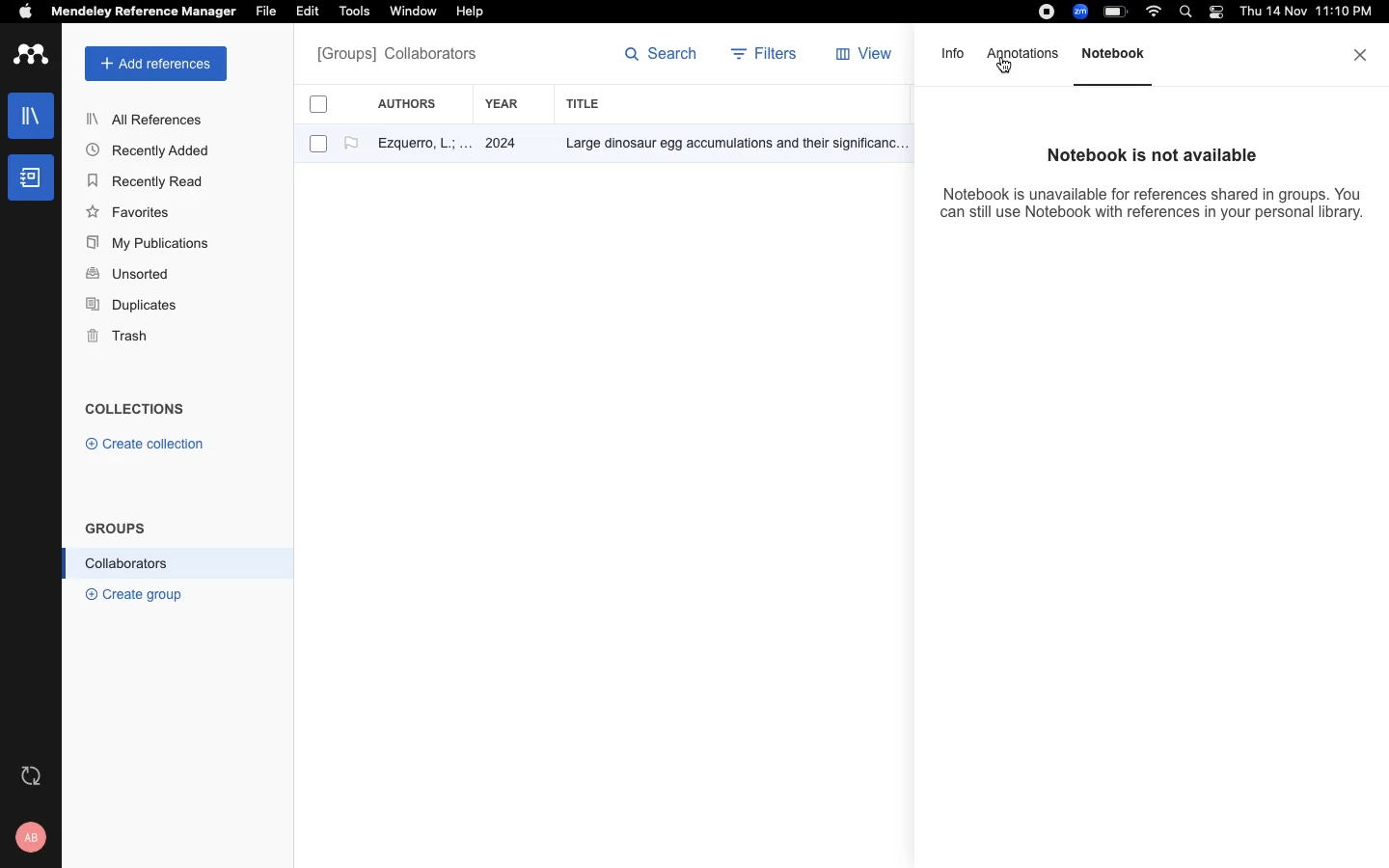  Describe the element at coordinates (1189, 14) in the screenshot. I see `search` at that location.